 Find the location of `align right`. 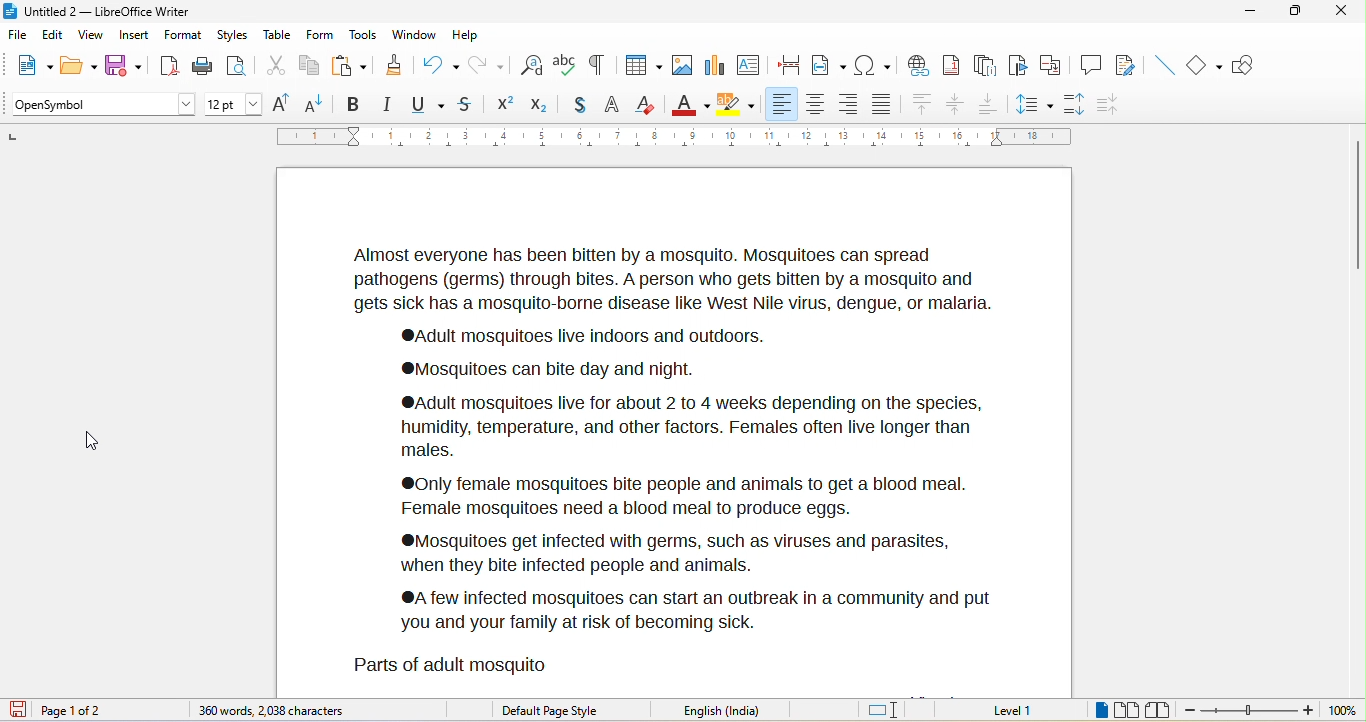

align right is located at coordinates (848, 104).